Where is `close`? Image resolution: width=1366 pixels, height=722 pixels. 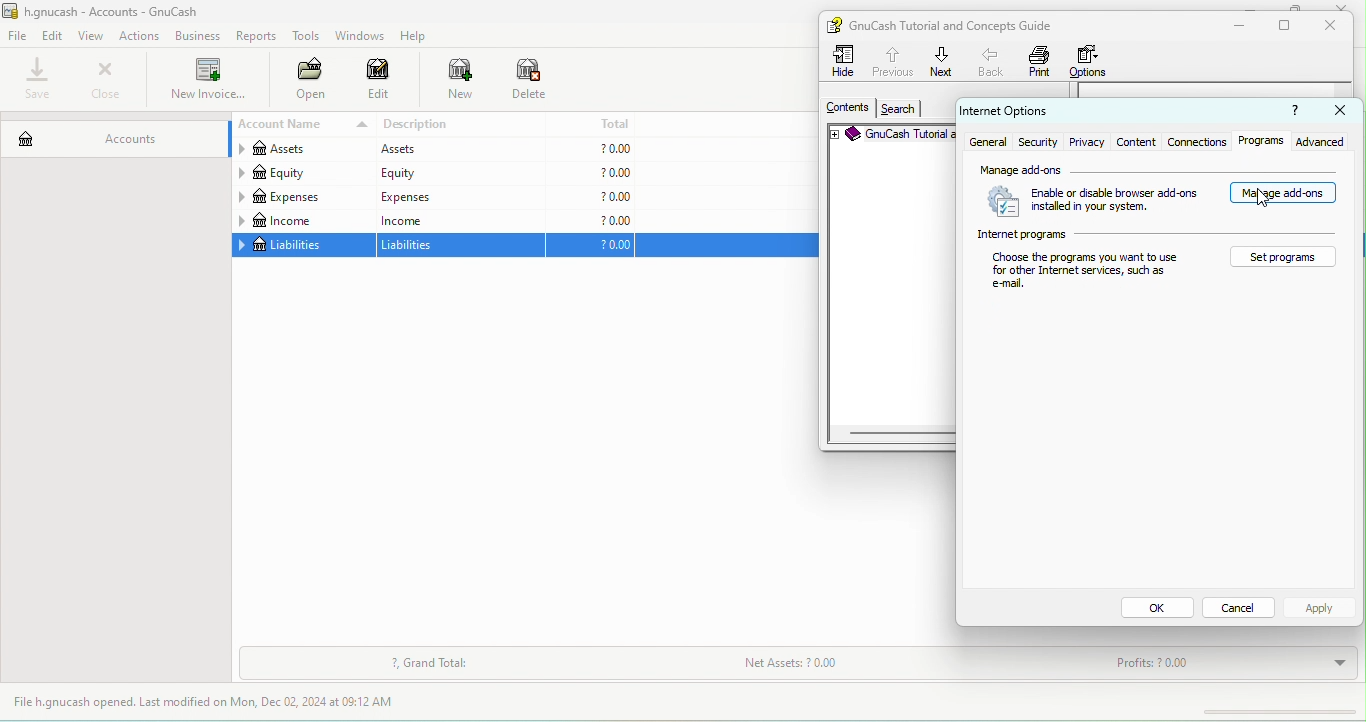
close is located at coordinates (1347, 6).